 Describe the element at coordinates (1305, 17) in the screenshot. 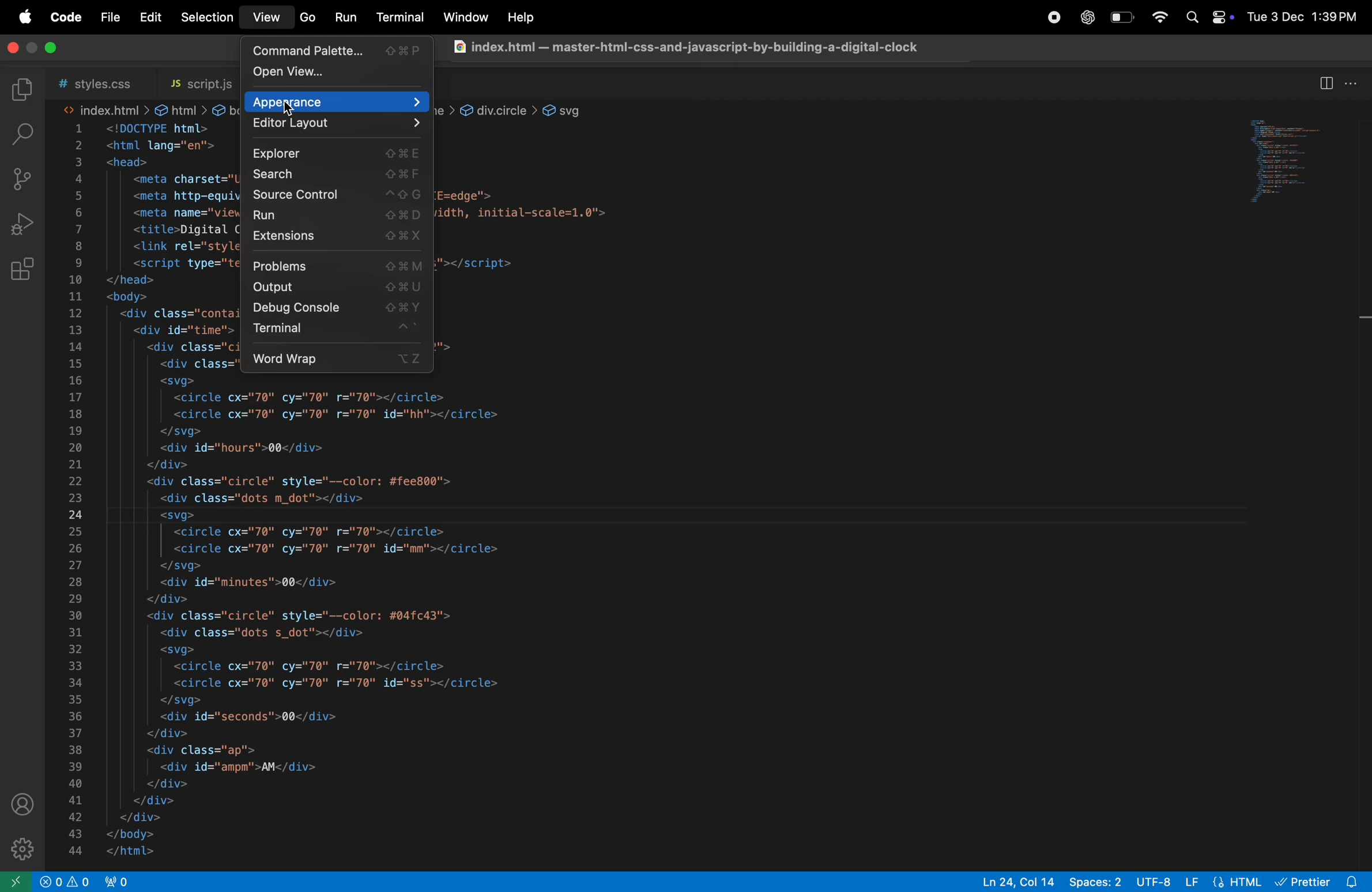

I see `date and time` at that location.